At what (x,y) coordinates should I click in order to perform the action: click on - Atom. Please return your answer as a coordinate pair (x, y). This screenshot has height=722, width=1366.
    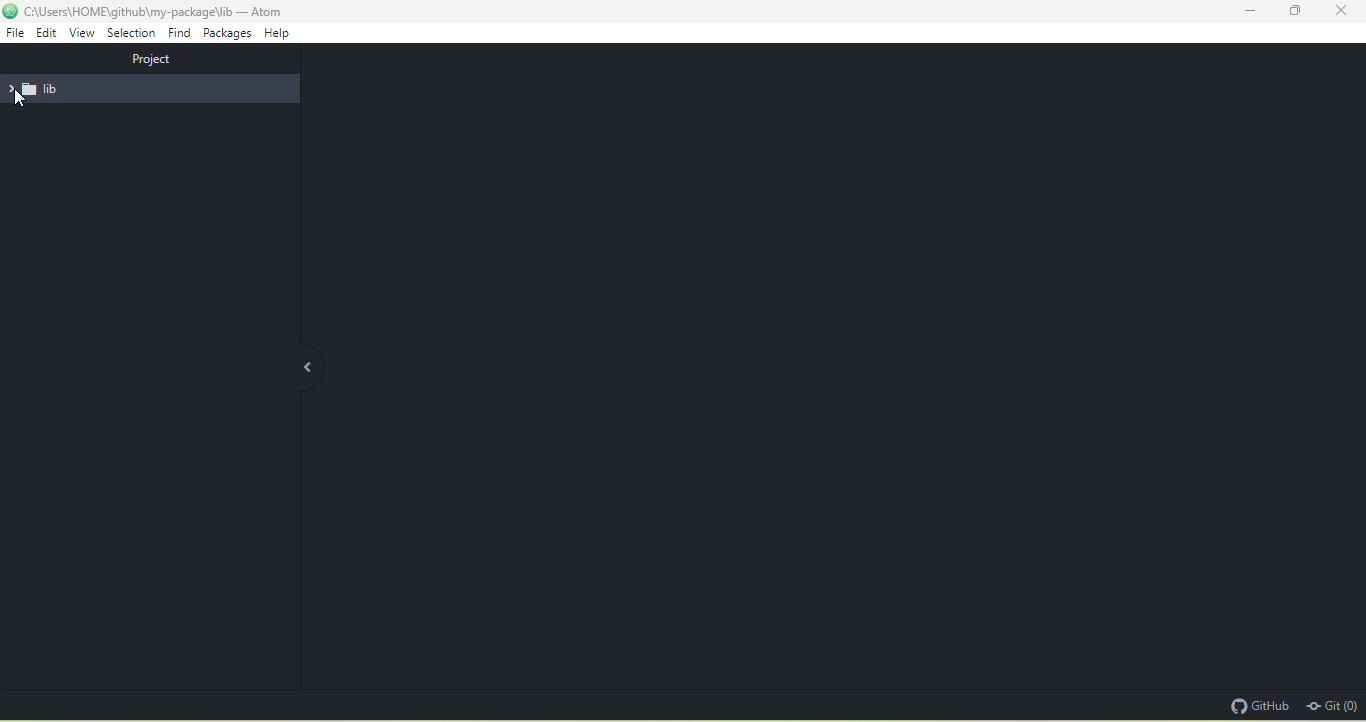
    Looking at the image, I should click on (261, 11).